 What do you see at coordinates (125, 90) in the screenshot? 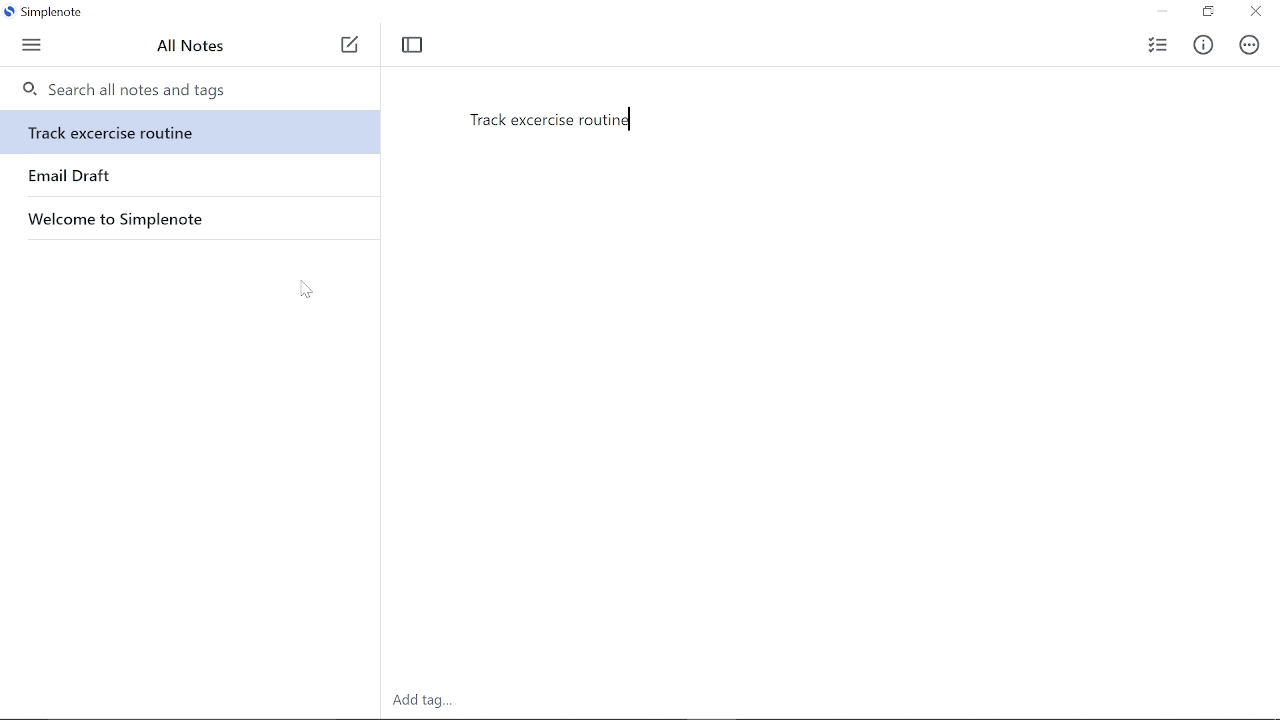
I see `Search all notes and tags` at bounding box center [125, 90].